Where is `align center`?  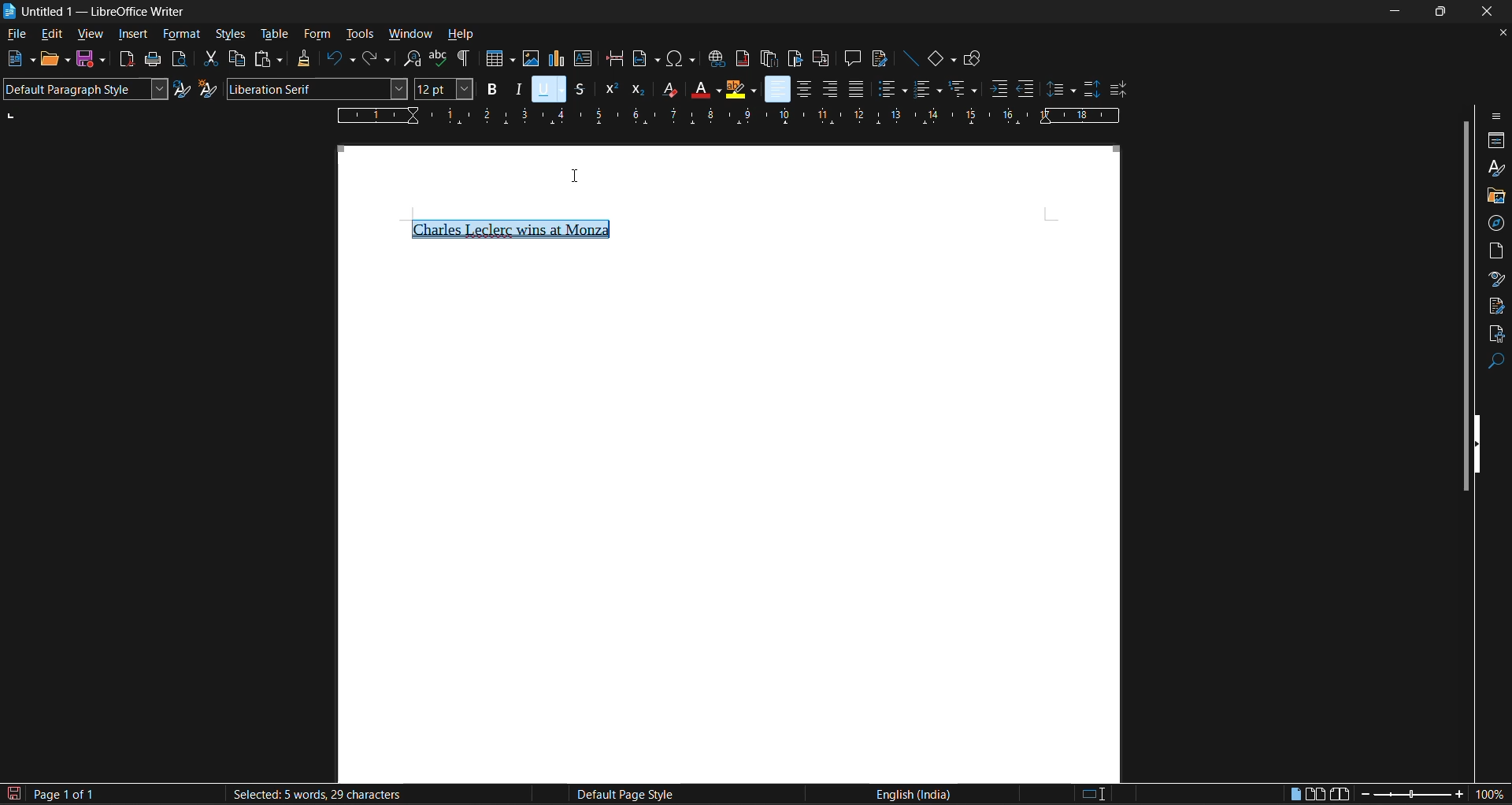
align center is located at coordinates (801, 91).